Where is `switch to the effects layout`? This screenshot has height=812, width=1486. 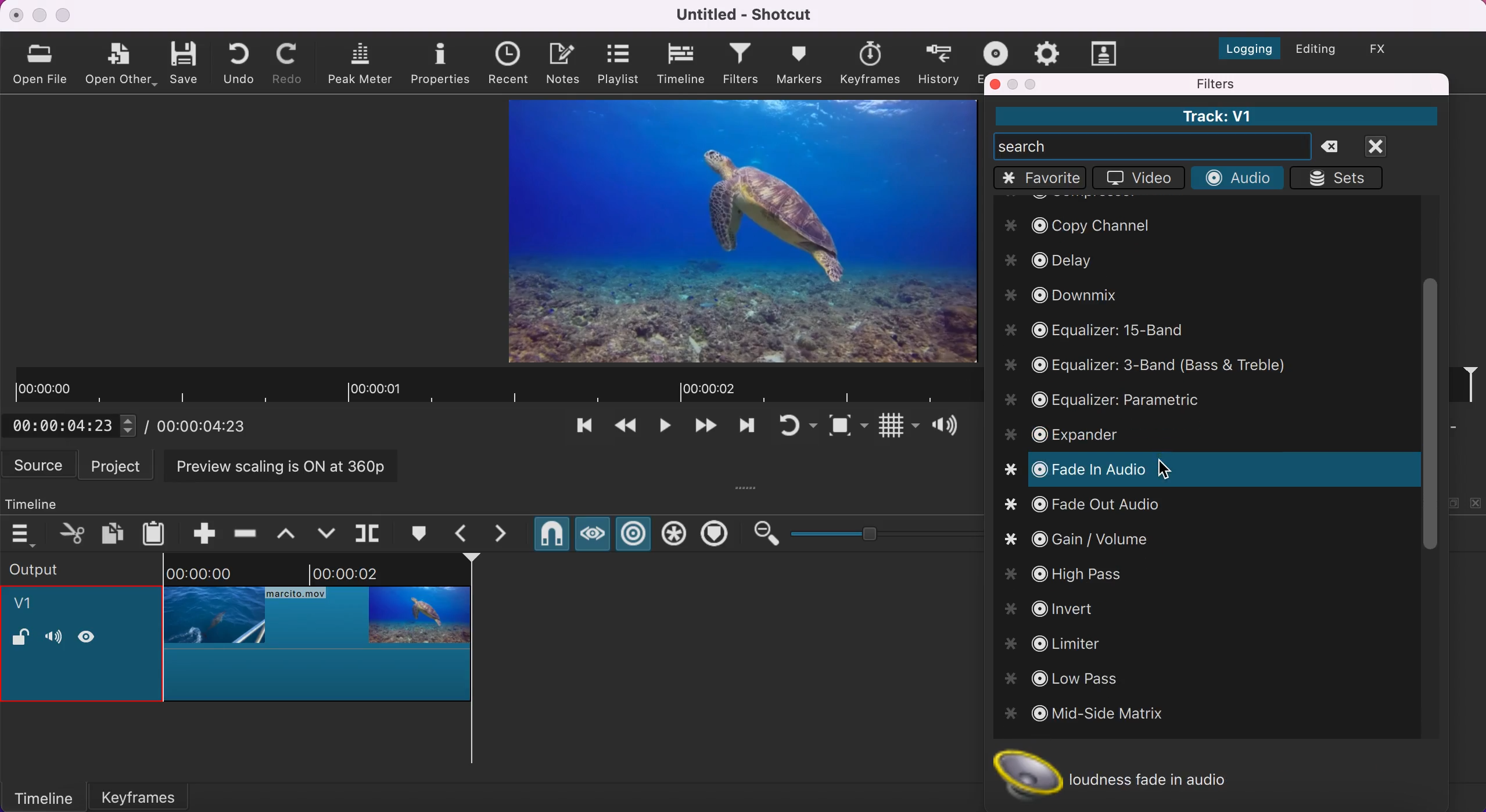
switch to the effects layout is located at coordinates (1387, 49).